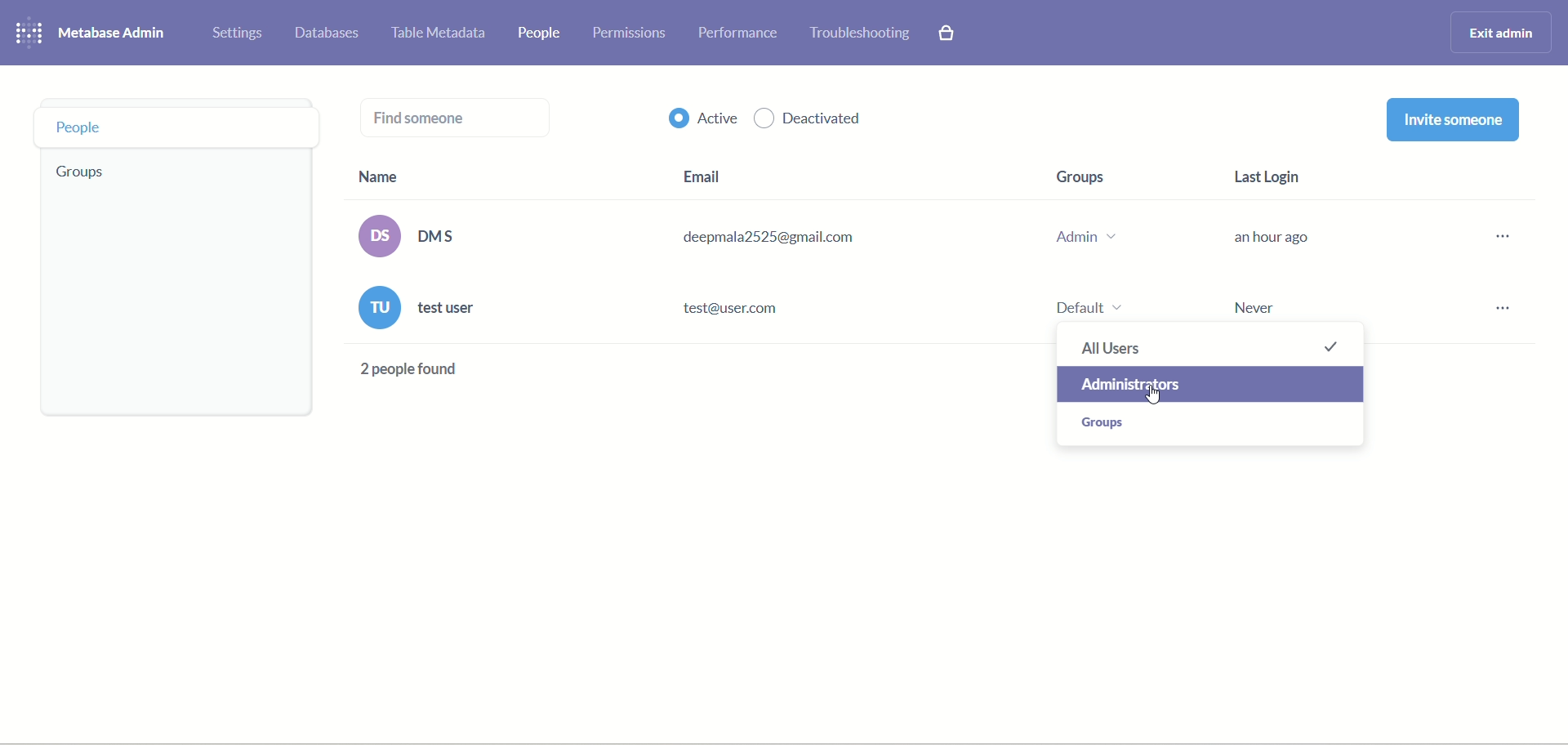 The image size is (1568, 745). What do you see at coordinates (443, 34) in the screenshot?
I see `table meta` at bounding box center [443, 34].